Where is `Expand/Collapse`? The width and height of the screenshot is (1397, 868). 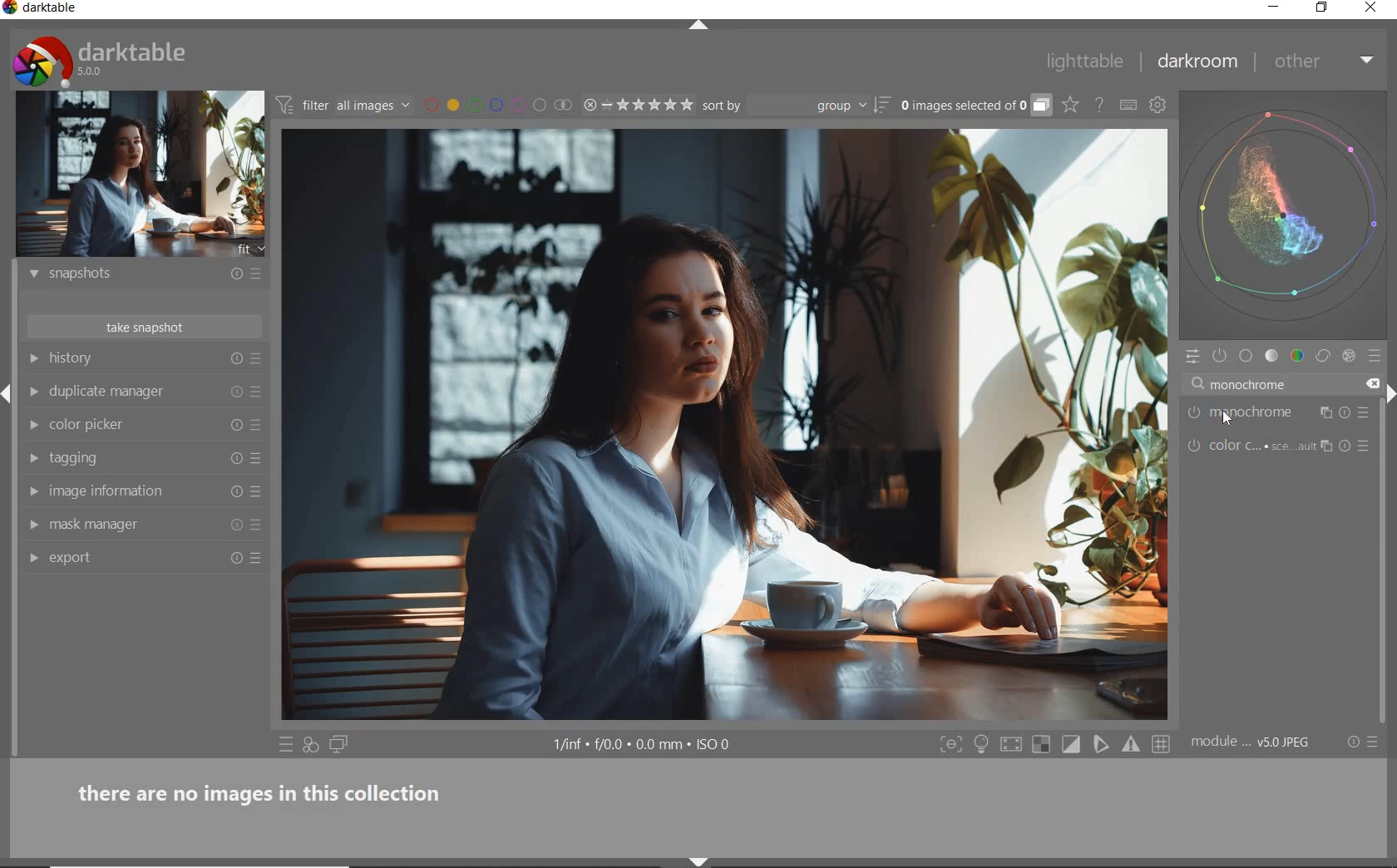 Expand/Collapse is located at coordinates (8, 389).